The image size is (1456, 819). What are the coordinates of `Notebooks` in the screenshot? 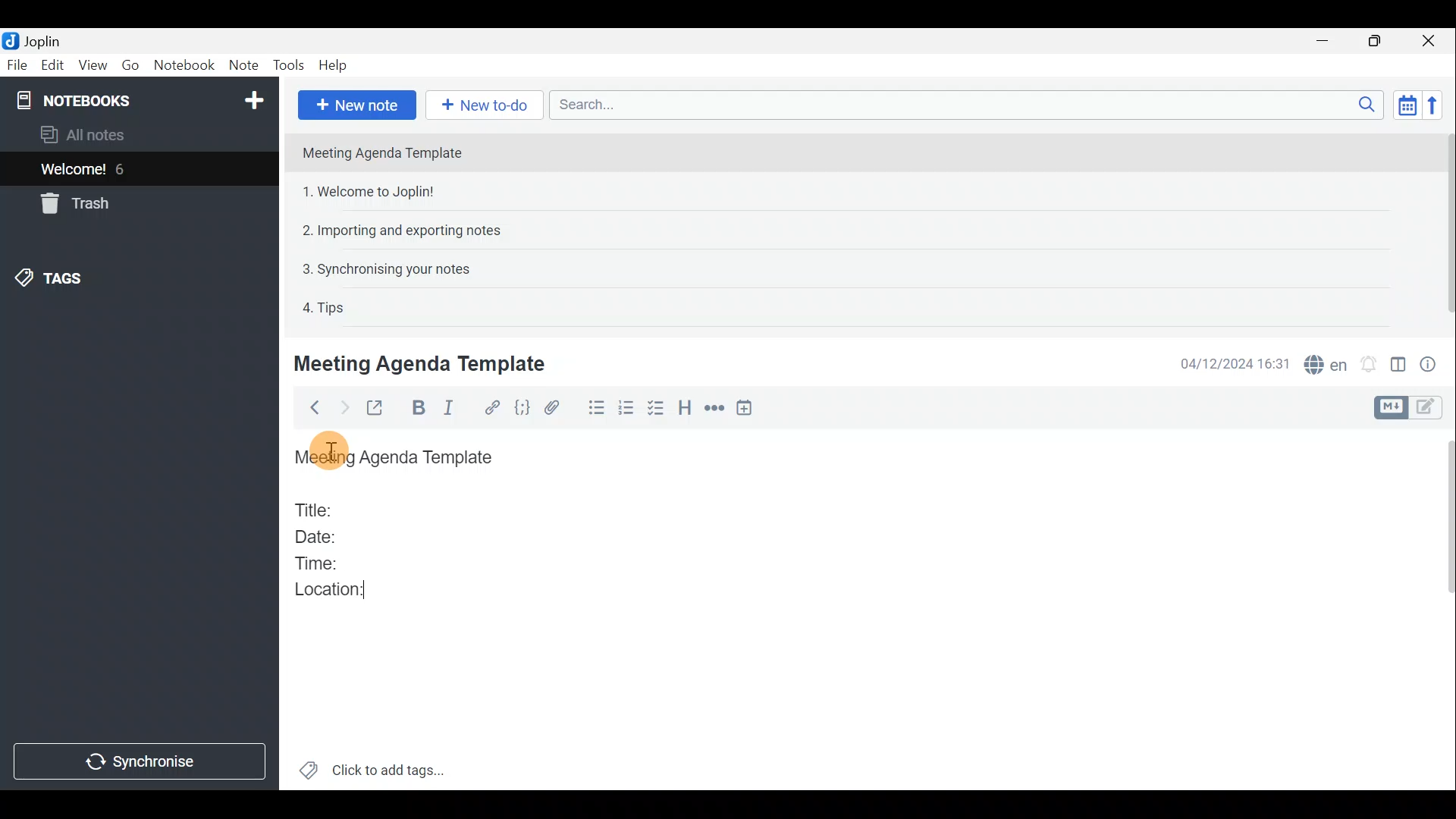 It's located at (142, 99).